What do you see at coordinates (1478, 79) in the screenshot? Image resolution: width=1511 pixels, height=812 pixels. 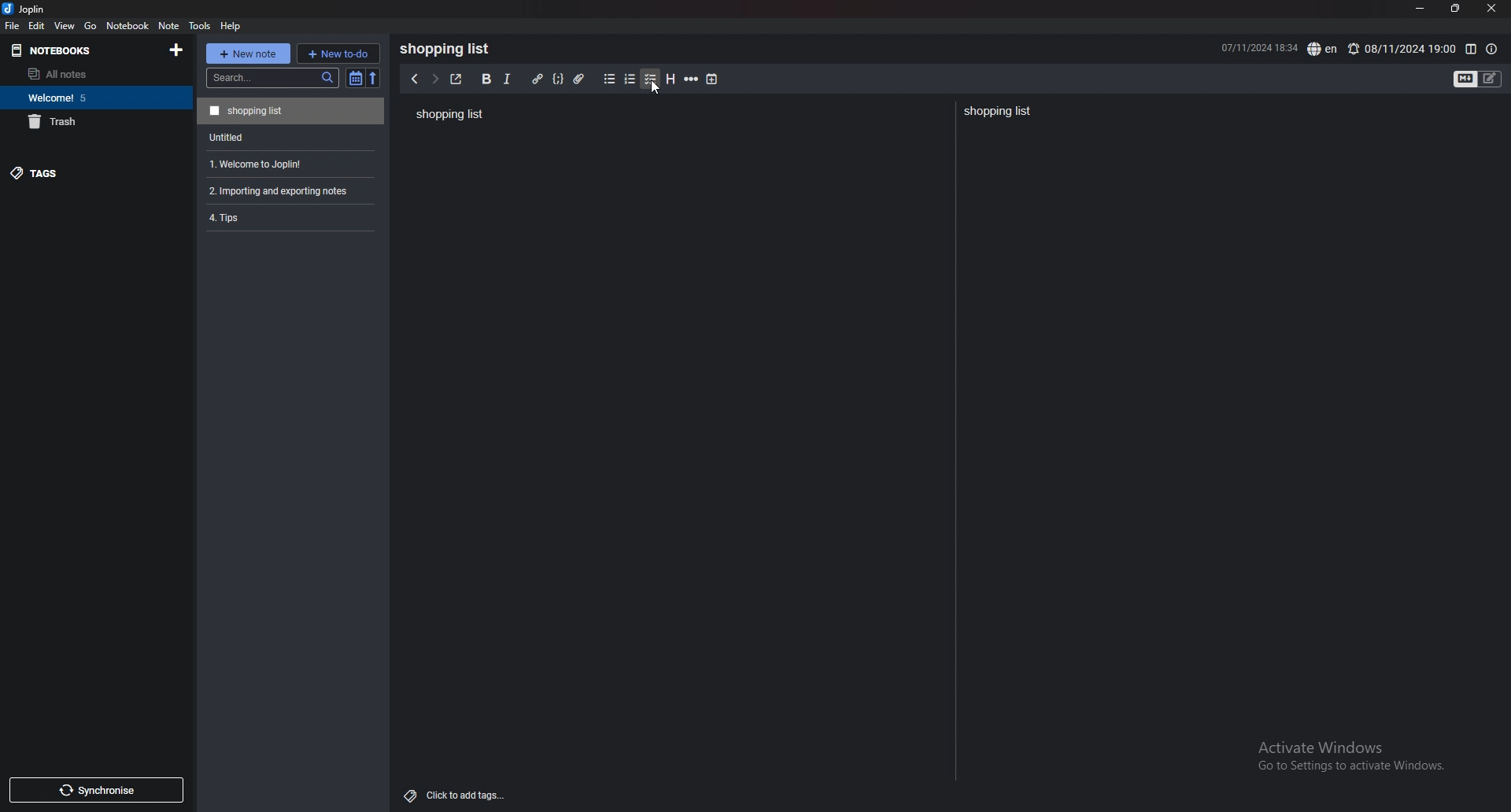 I see `toggle editors` at bounding box center [1478, 79].